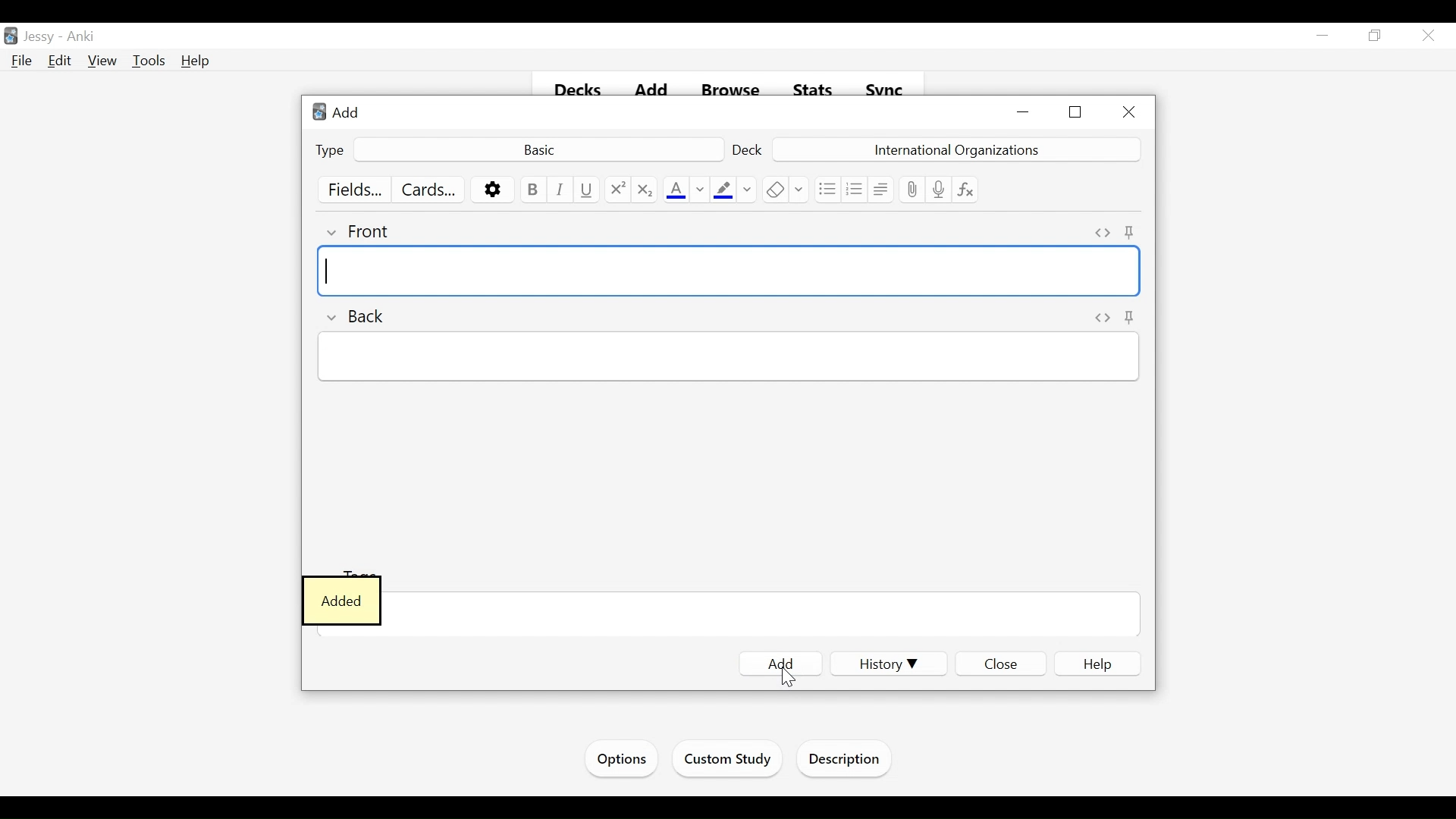  I want to click on Tools, so click(149, 61).